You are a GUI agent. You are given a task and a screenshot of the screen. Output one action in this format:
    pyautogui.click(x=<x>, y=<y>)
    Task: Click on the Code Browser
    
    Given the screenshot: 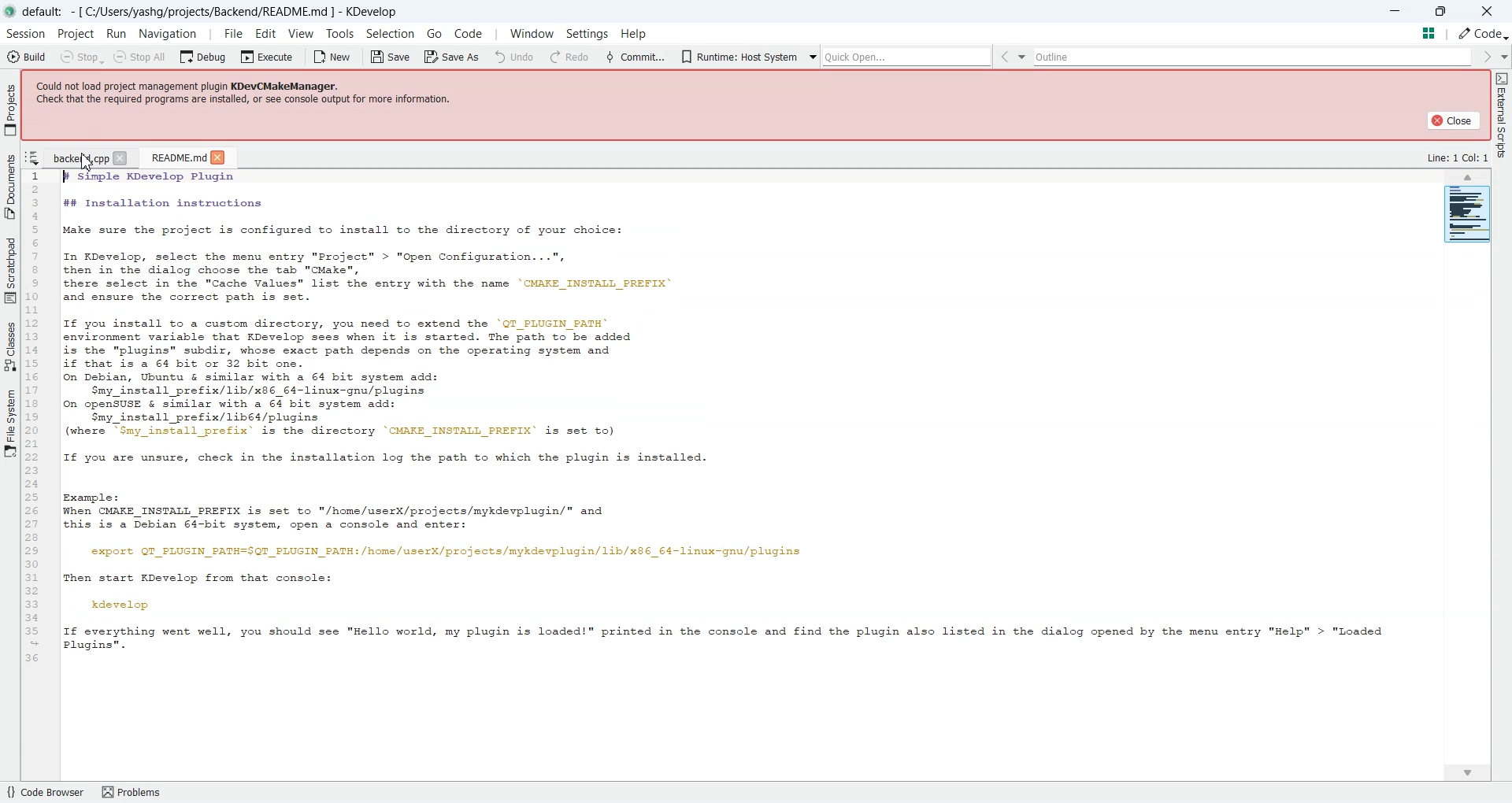 What is the action you would take?
    pyautogui.click(x=44, y=792)
    